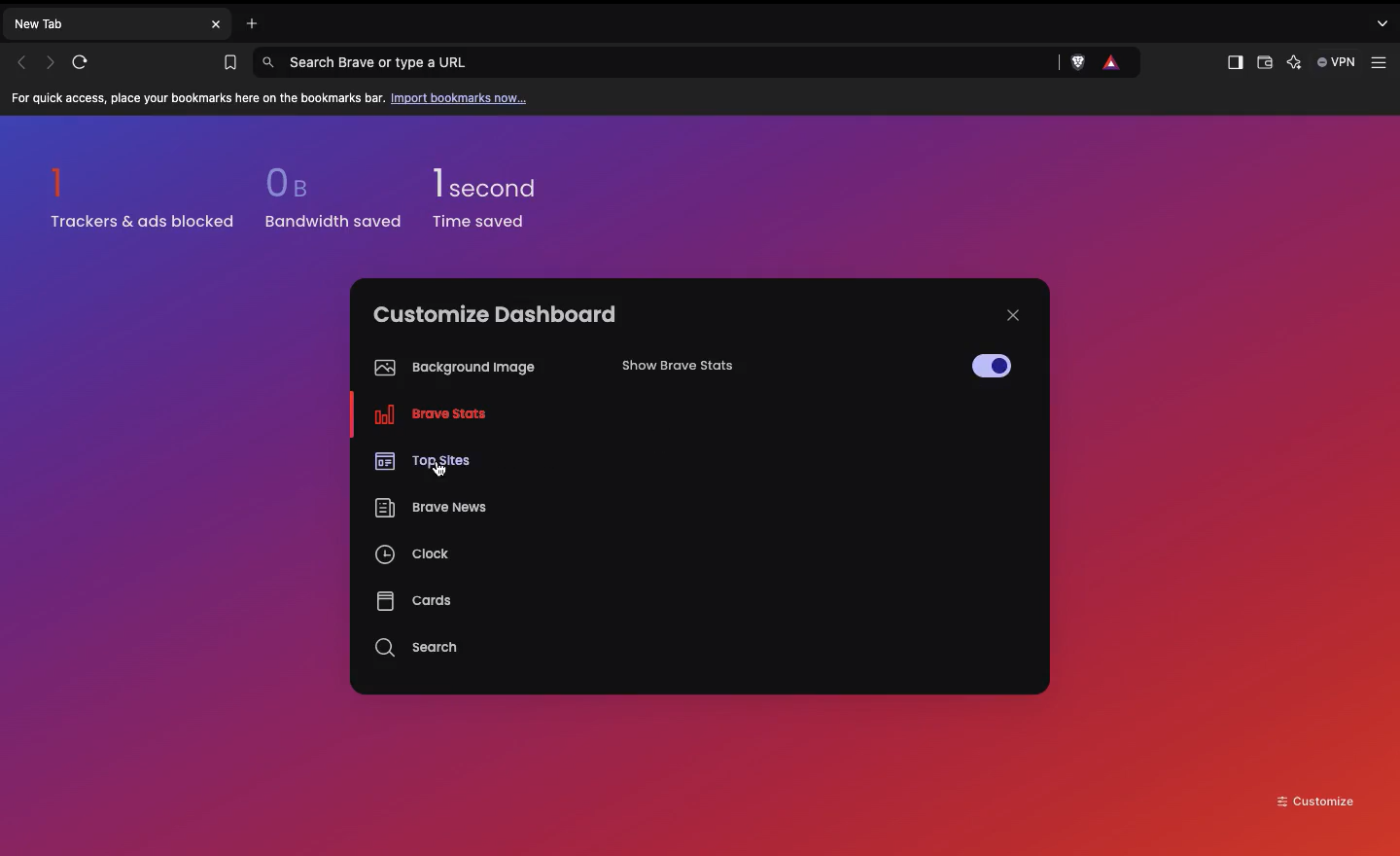  I want to click on Bookmarks, so click(226, 63).